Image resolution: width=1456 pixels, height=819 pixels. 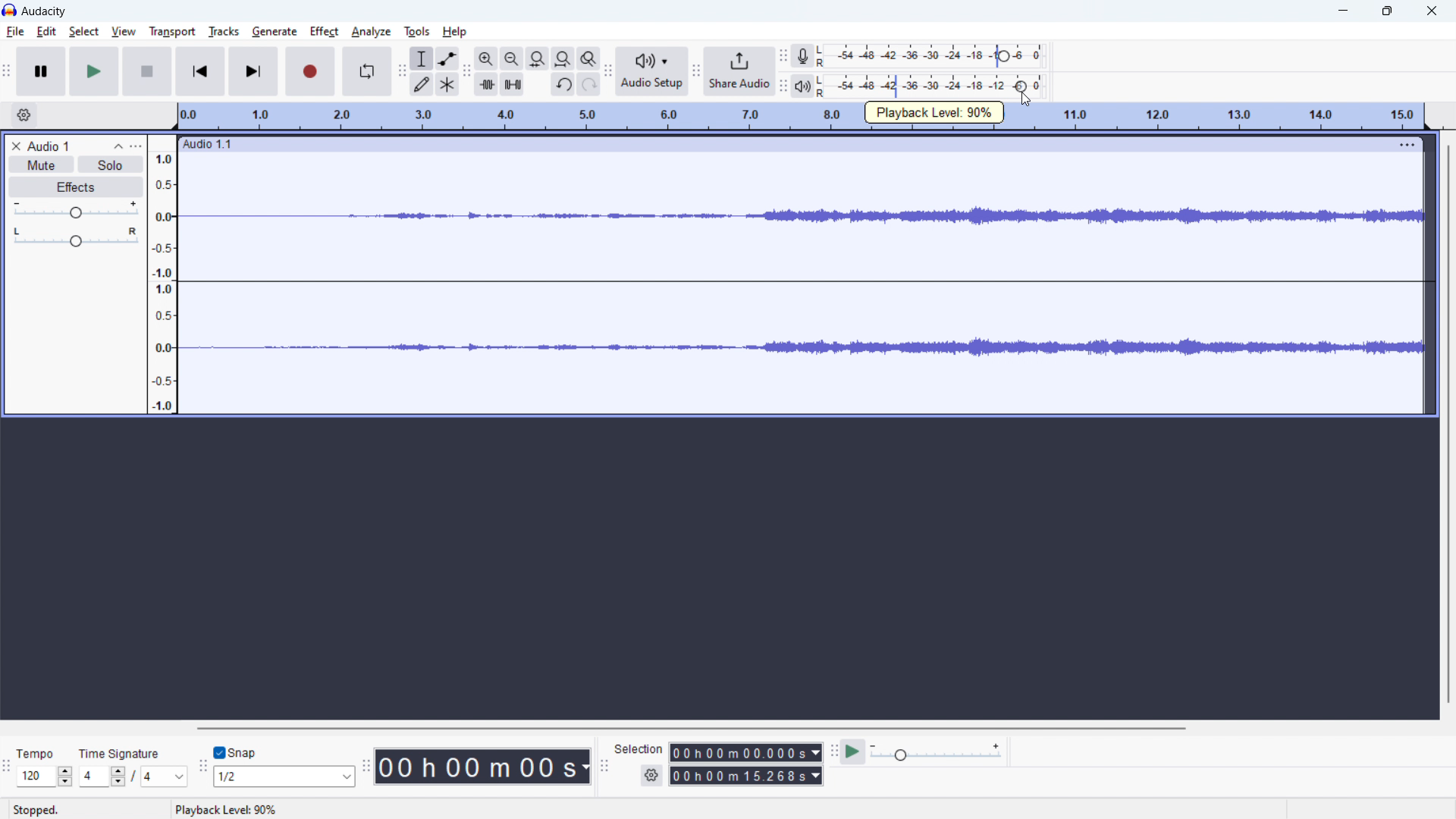 What do you see at coordinates (744, 752) in the screenshot?
I see `start time` at bounding box center [744, 752].